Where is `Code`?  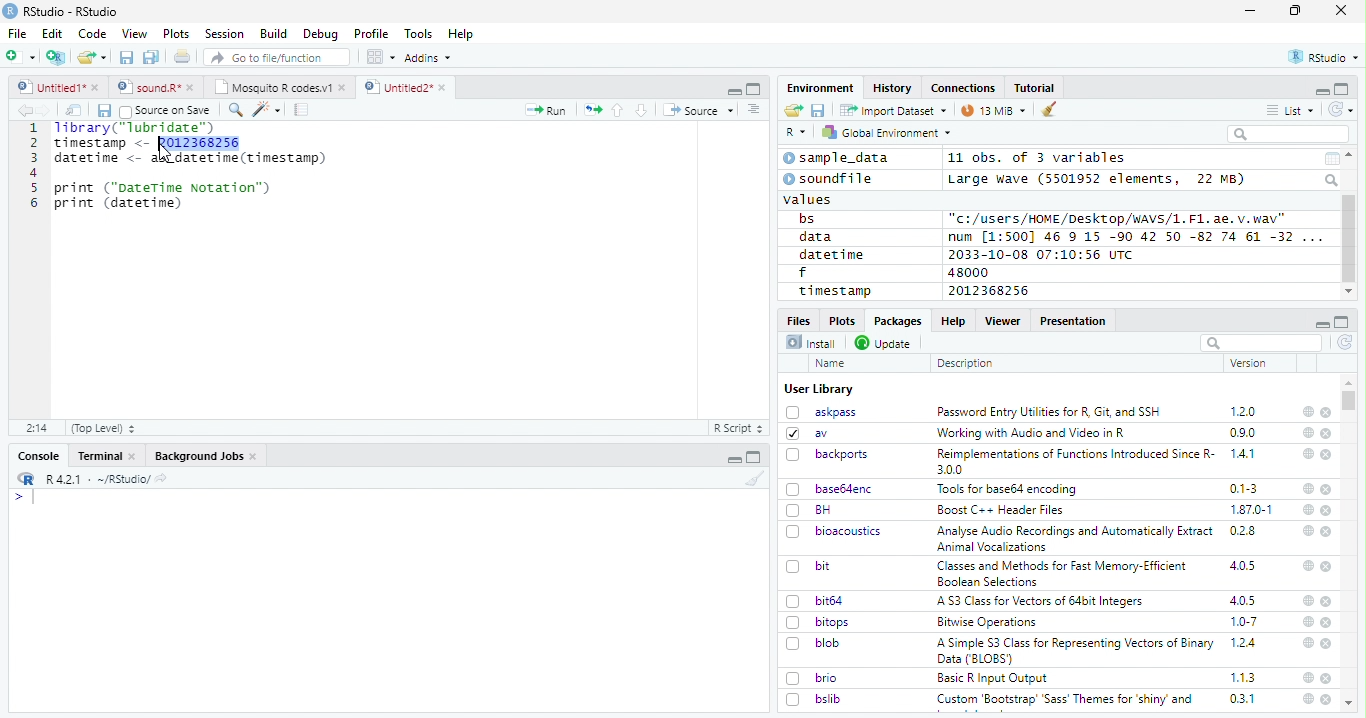 Code is located at coordinates (91, 34).